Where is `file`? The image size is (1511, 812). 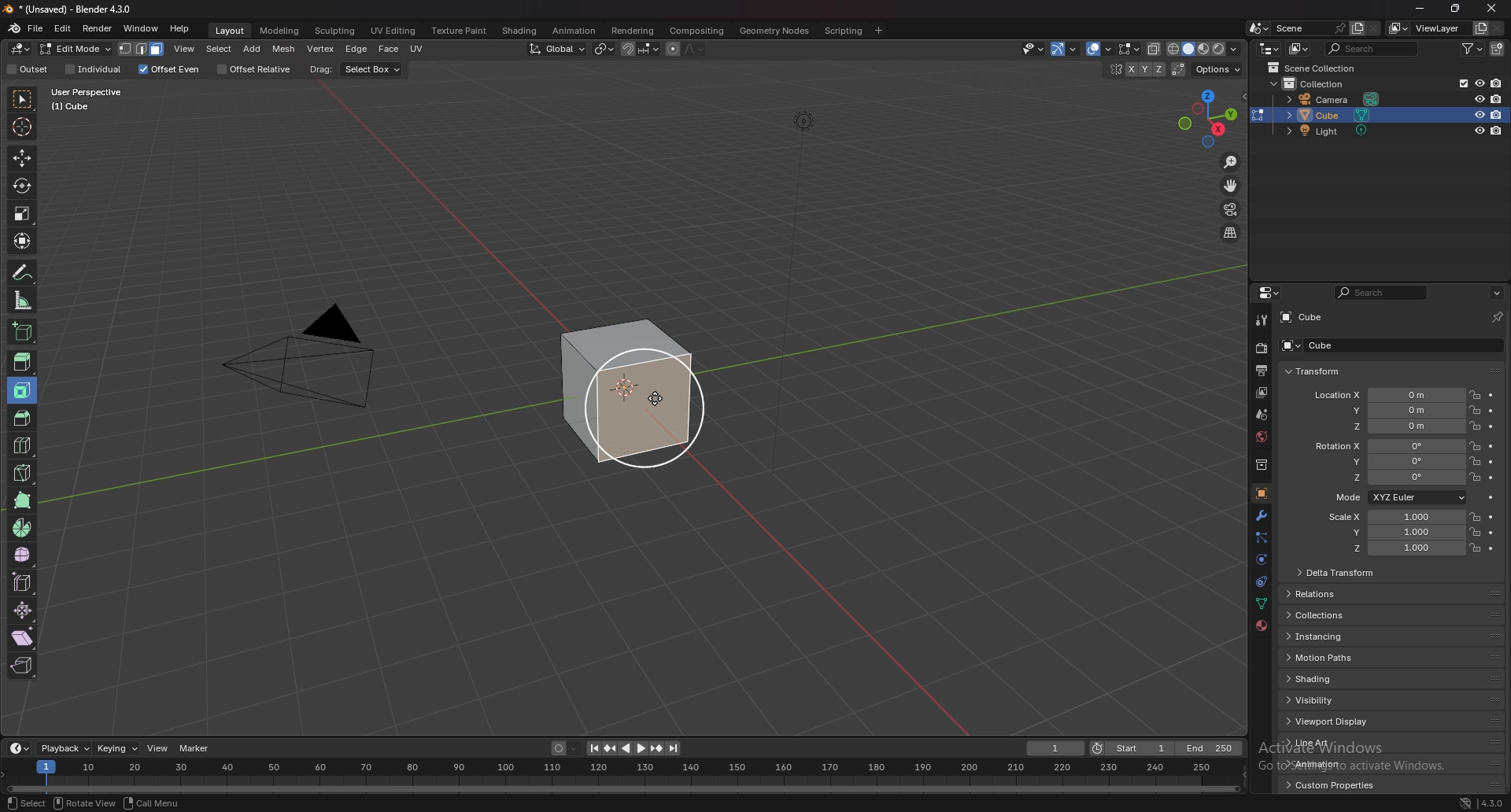 file is located at coordinates (35, 28).